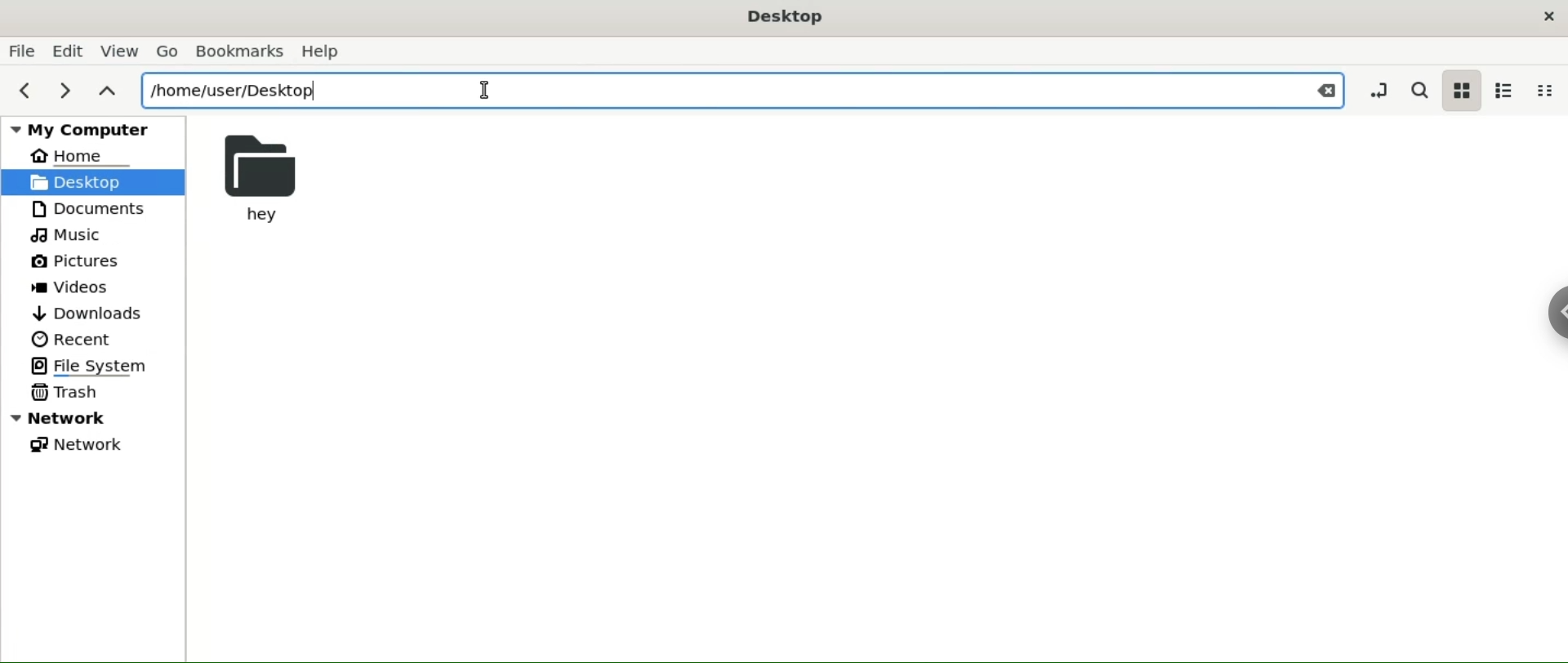 This screenshot has height=663, width=1568. I want to click on hey, so click(266, 177).